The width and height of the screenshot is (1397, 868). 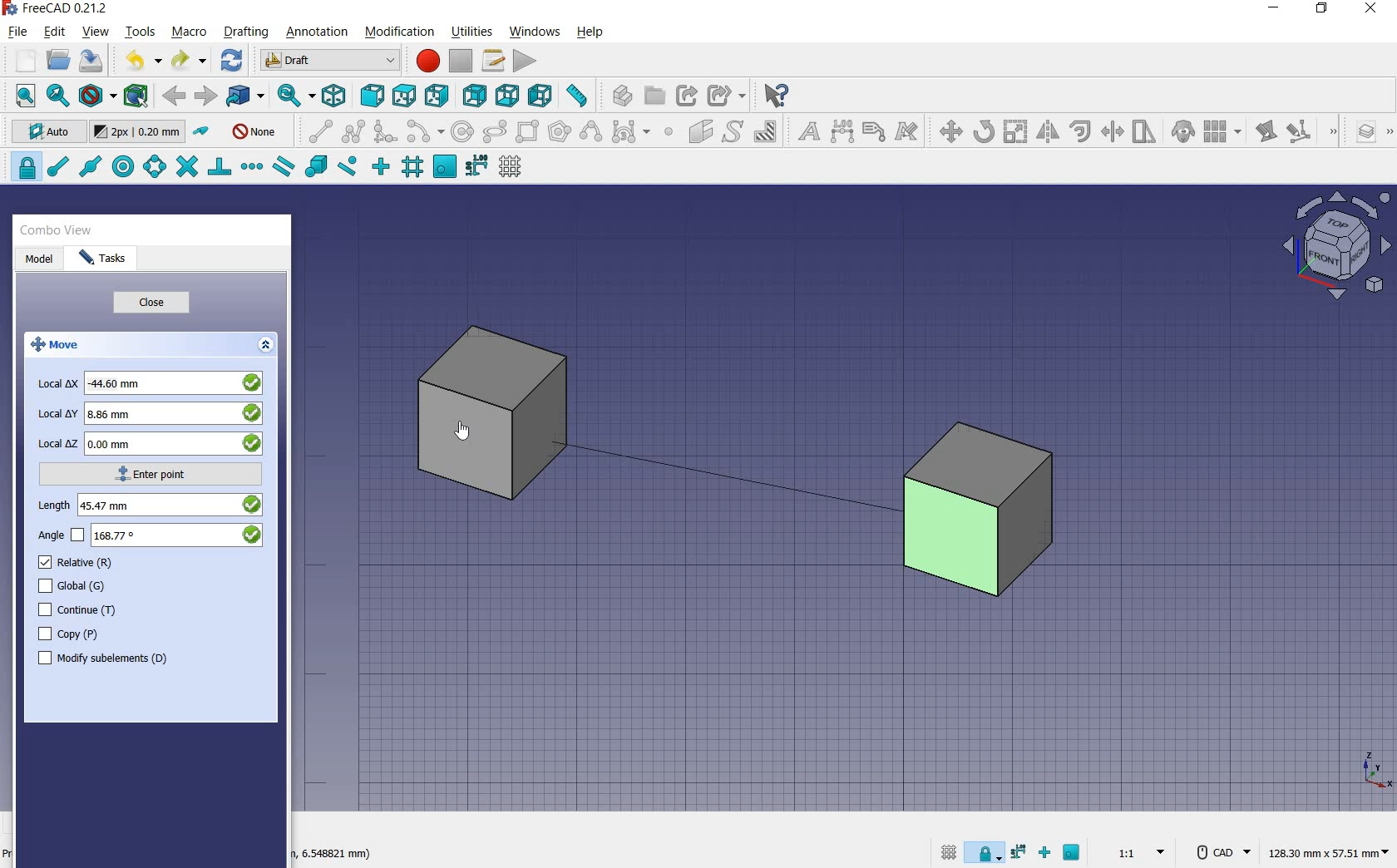 I want to click on global, so click(x=71, y=586).